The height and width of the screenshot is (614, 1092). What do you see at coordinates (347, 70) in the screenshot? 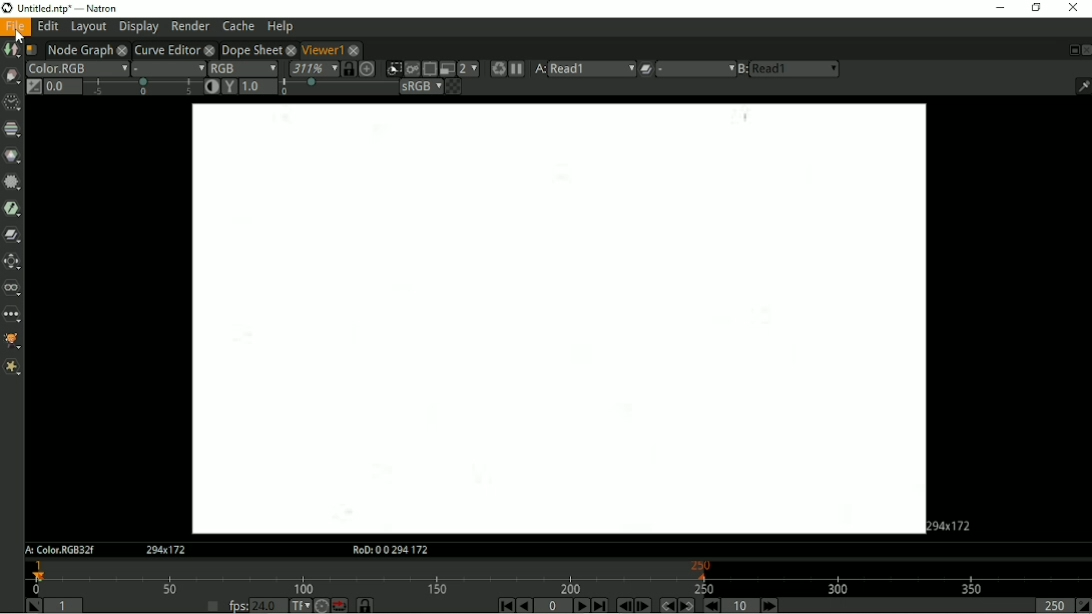
I see `Synchronized` at bounding box center [347, 70].